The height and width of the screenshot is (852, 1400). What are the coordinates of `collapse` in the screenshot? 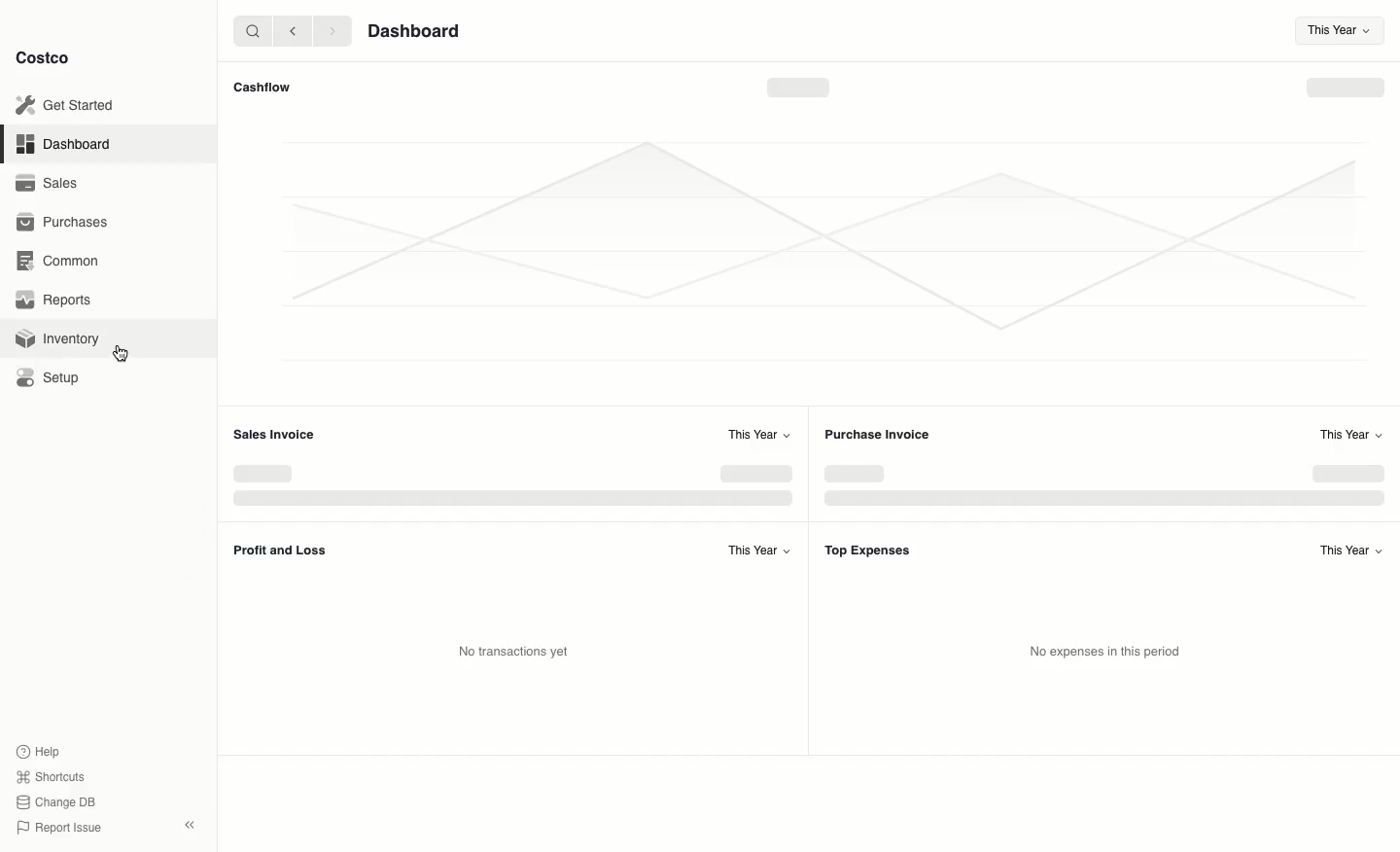 It's located at (189, 824).